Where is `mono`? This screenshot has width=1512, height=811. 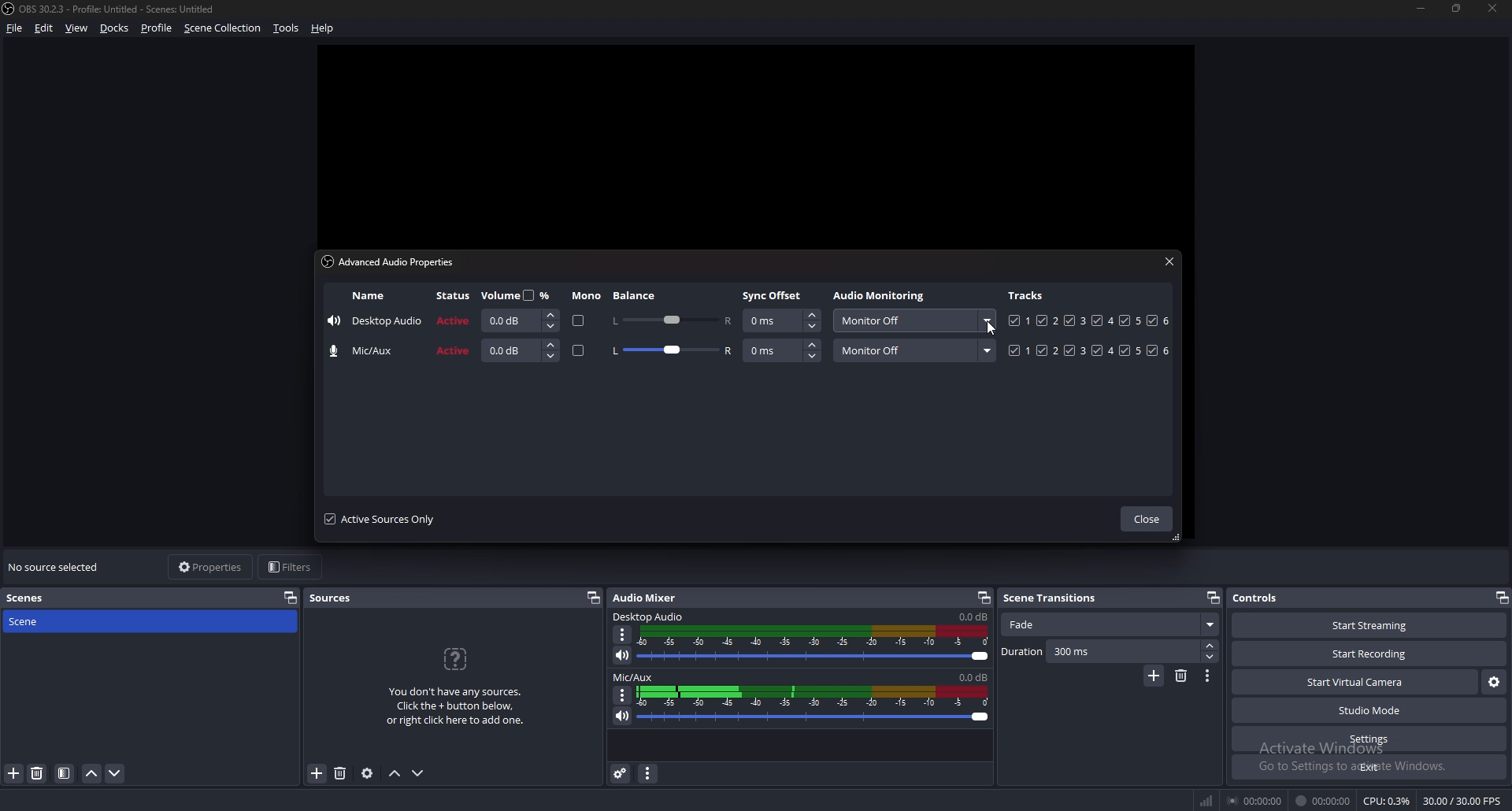 mono is located at coordinates (587, 296).